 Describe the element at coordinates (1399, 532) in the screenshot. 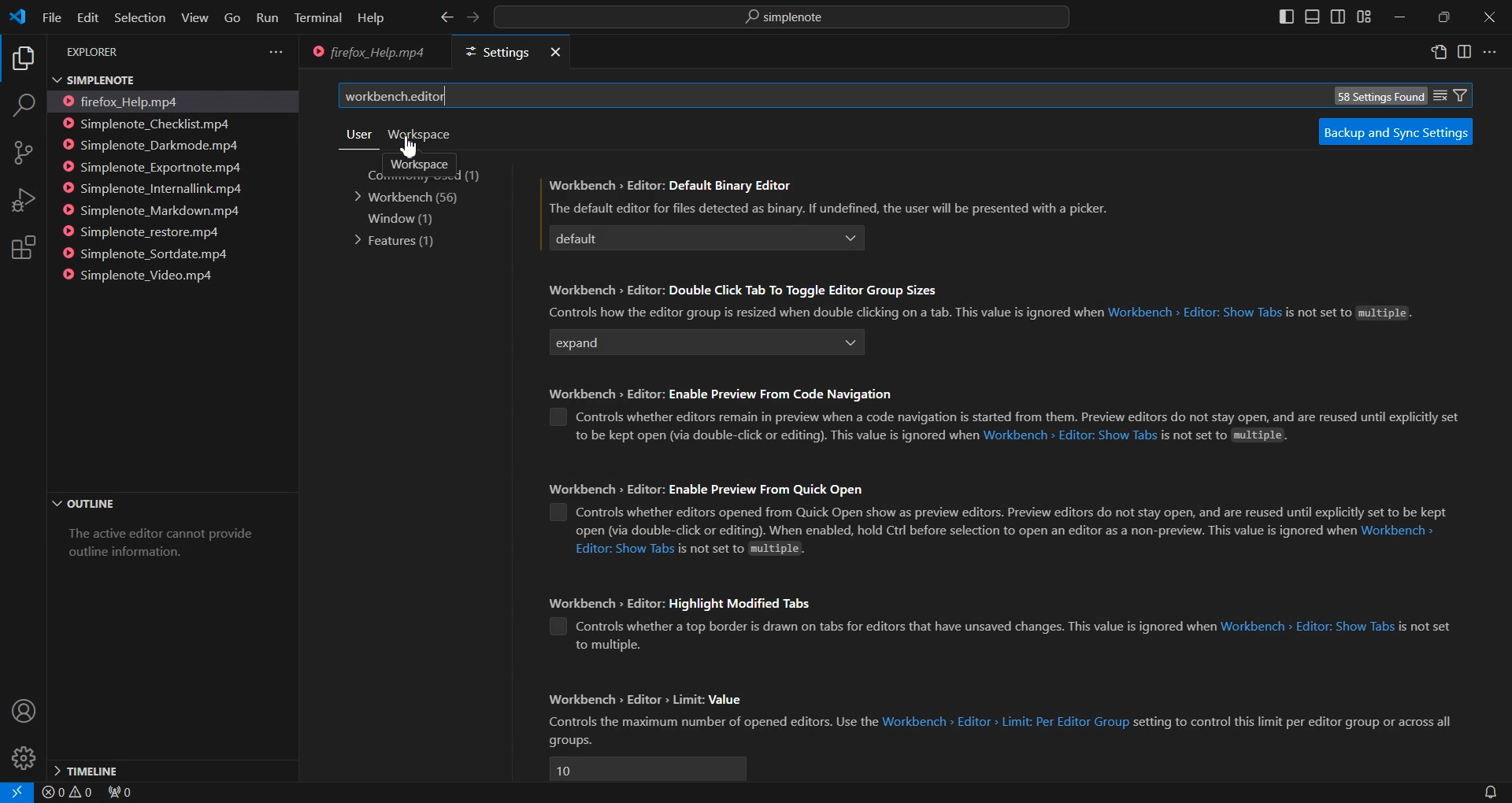

I see `Hyperlink file address` at that location.